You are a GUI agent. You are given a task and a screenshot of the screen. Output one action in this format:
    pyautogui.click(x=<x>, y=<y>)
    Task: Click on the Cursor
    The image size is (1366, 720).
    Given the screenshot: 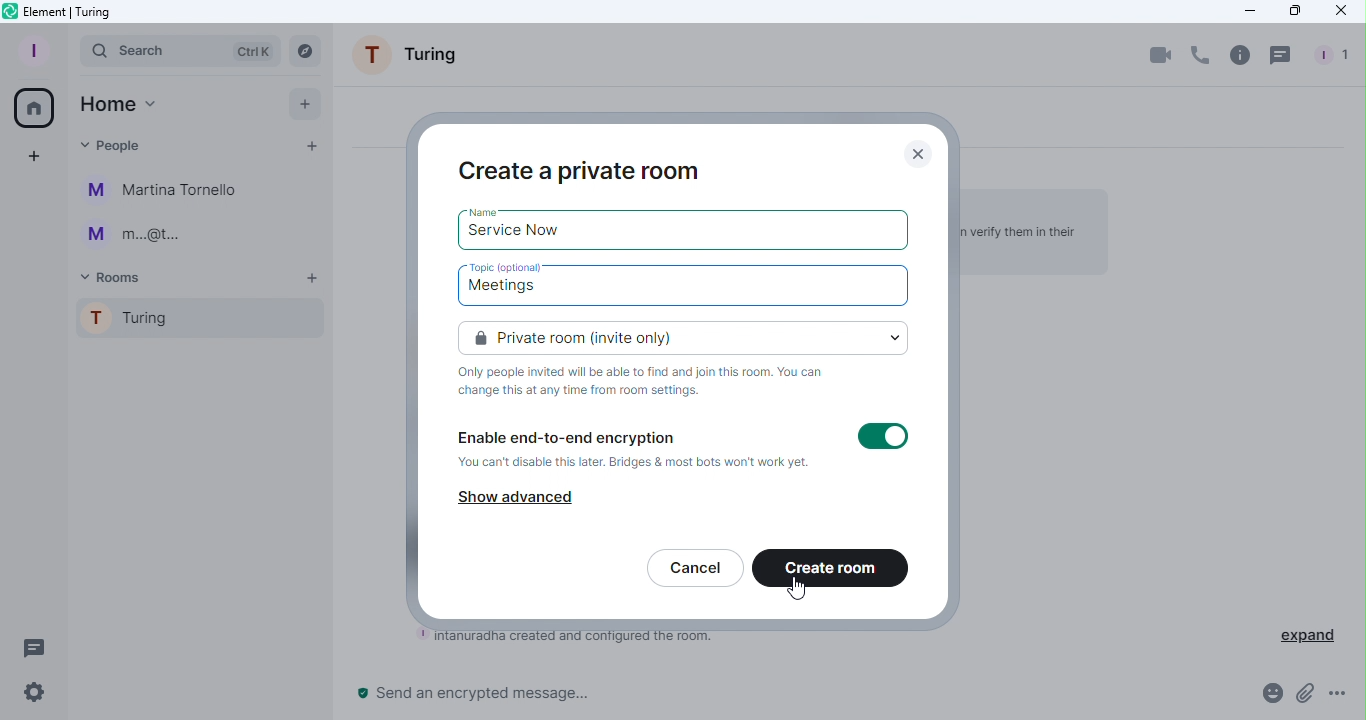 What is the action you would take?
    pyautogui.click(x=792, y=588)
    